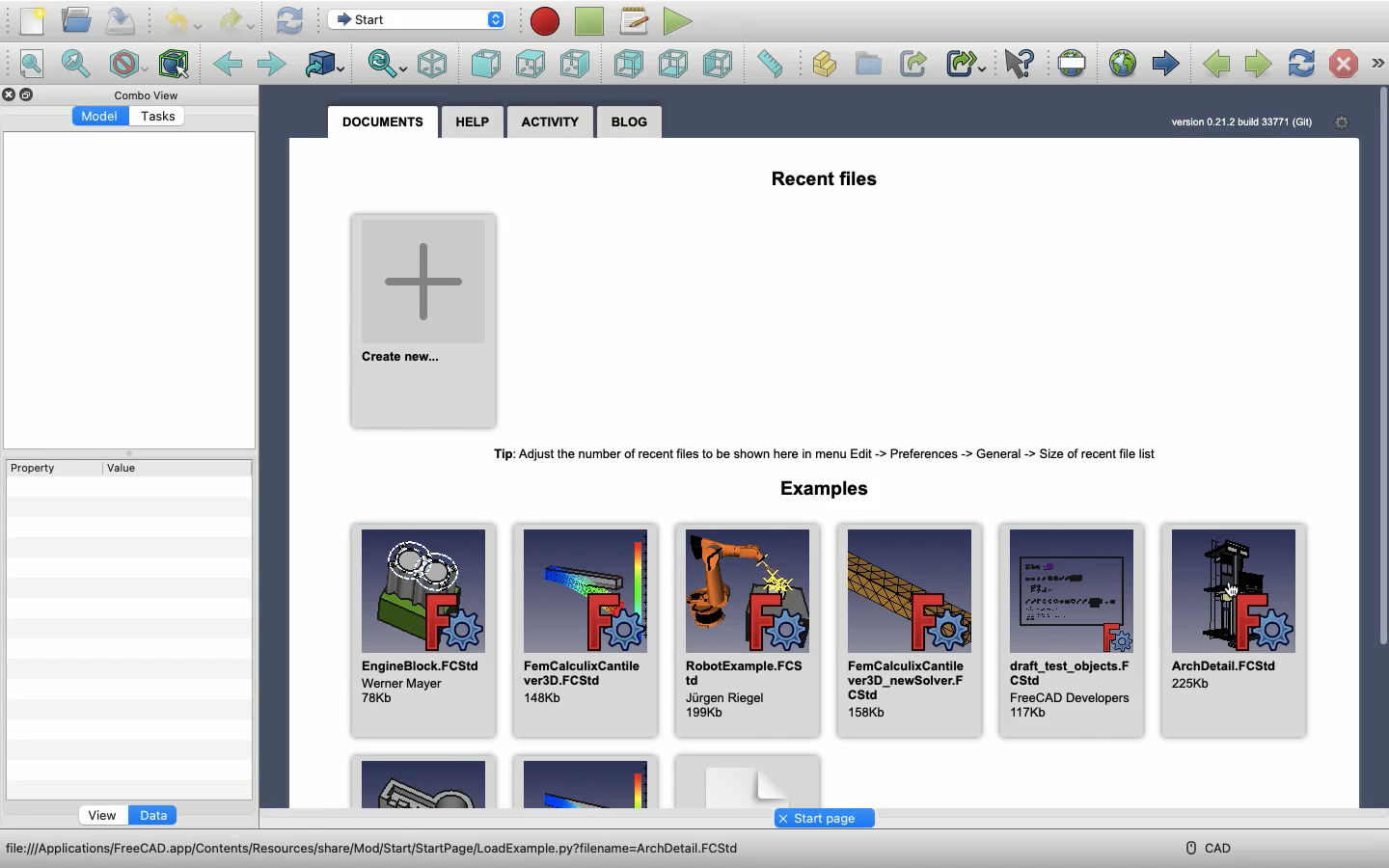  What do you see at coordinates (227, 66) in the screenshot?
I see `` at bounding box center [227, 66].